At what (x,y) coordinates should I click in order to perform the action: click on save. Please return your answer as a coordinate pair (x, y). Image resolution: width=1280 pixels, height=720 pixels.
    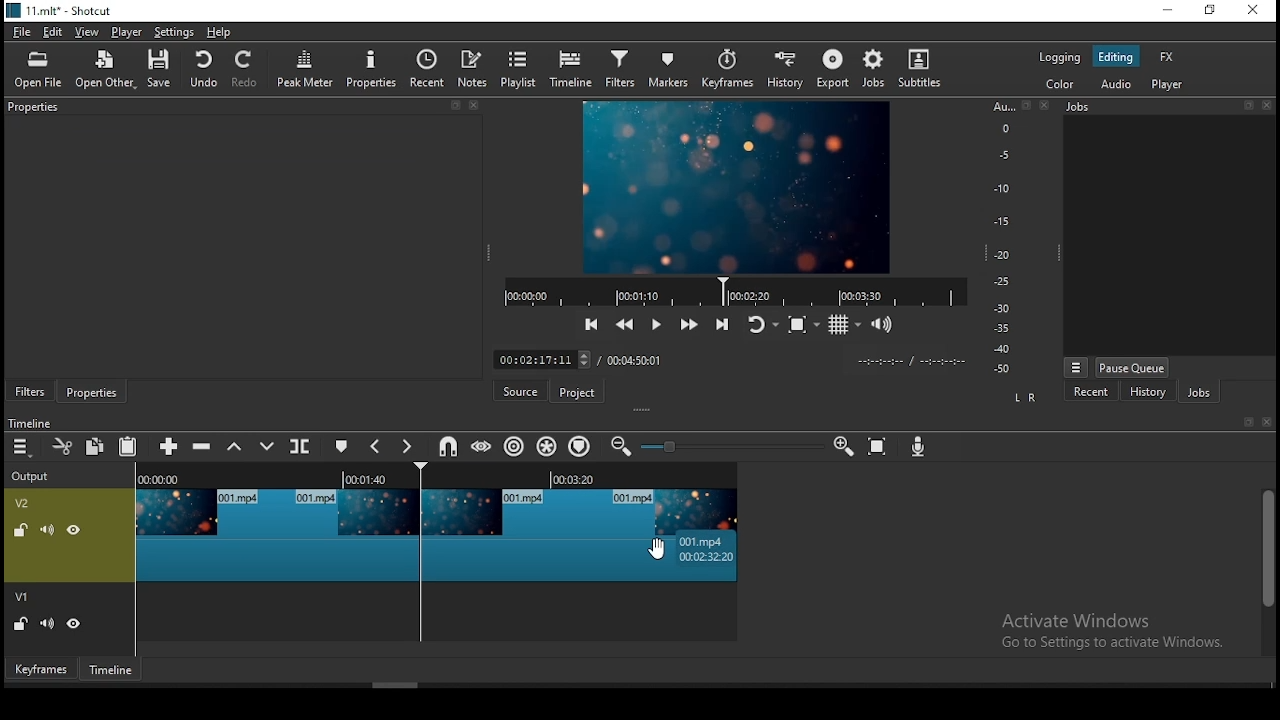
    Looking at the image, I should click on (159, 68).